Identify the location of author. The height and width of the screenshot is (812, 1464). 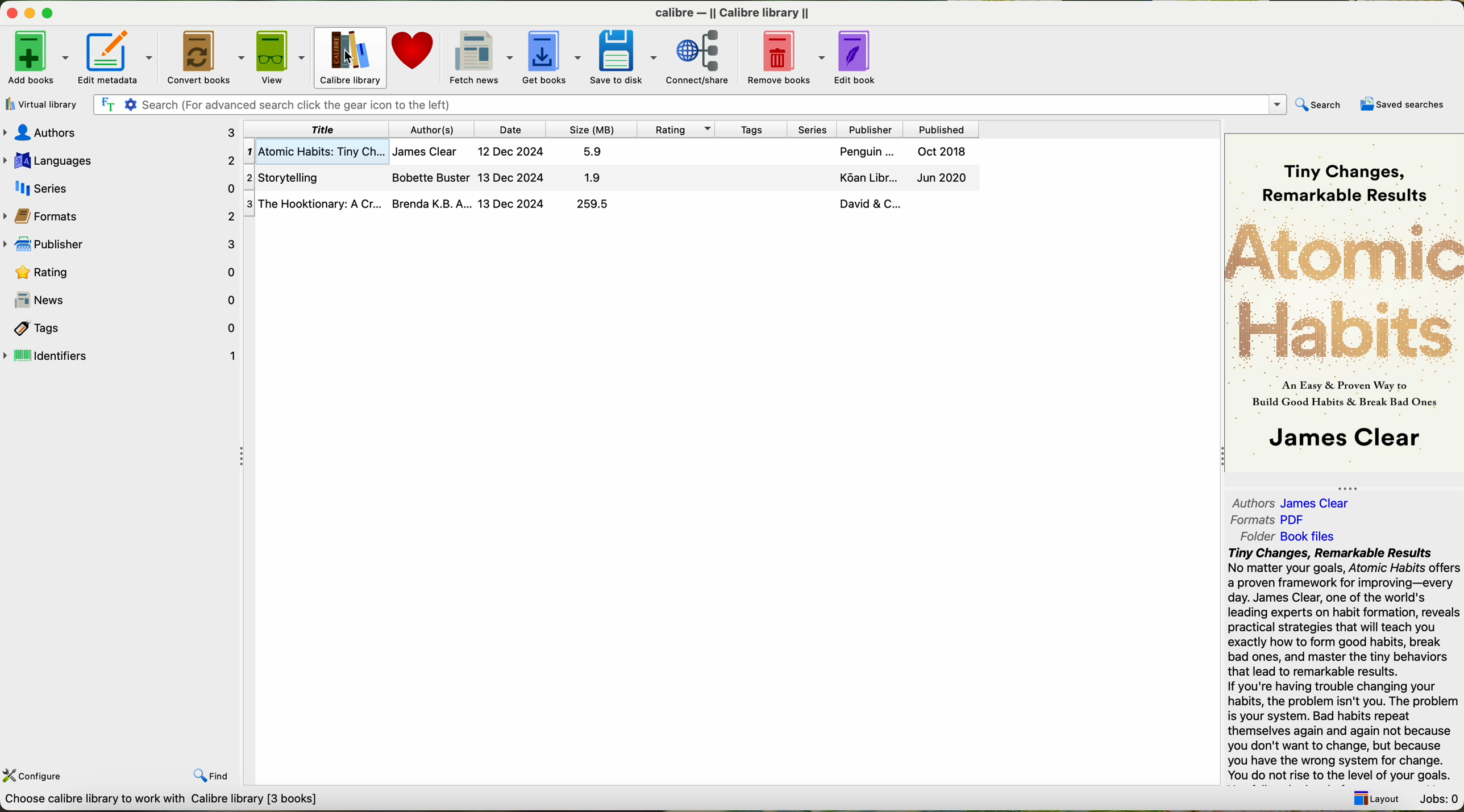
(434, 129).